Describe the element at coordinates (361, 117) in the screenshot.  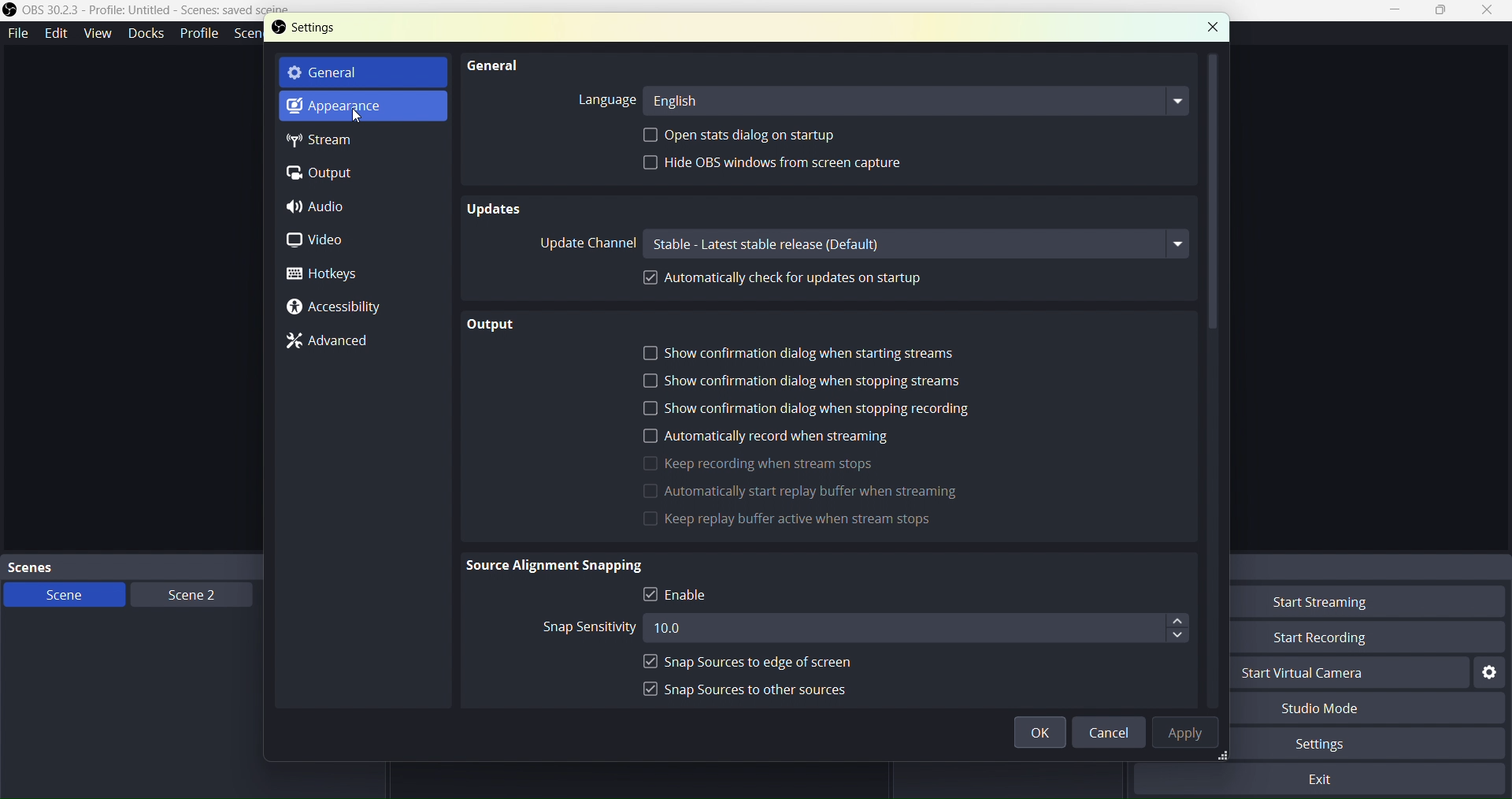
I see `cursor` at that location.